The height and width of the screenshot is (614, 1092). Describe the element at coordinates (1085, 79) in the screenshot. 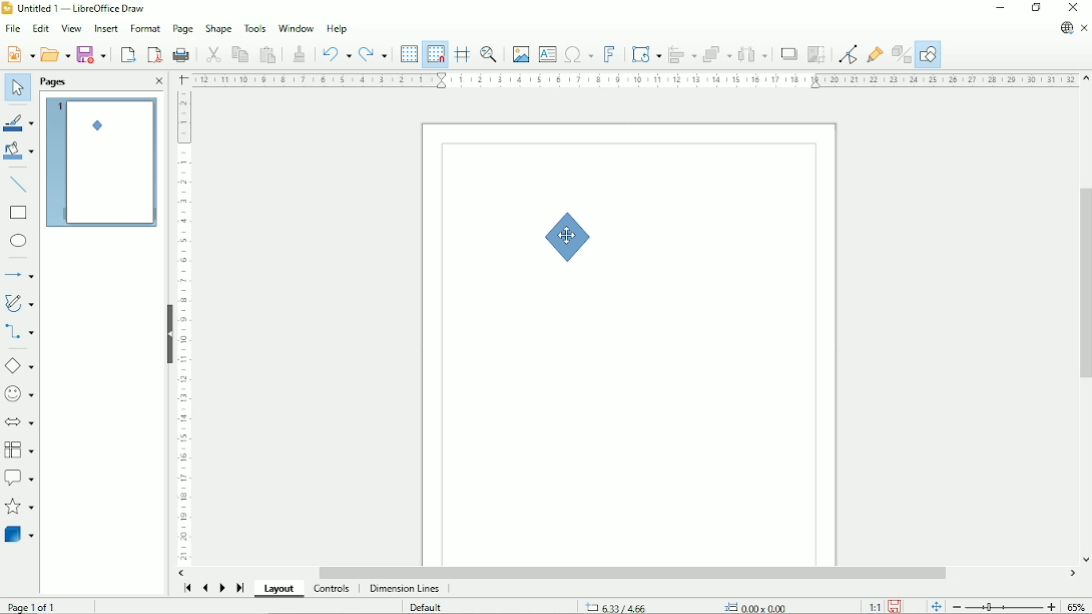

I see `Vertical scroll button` at that location.